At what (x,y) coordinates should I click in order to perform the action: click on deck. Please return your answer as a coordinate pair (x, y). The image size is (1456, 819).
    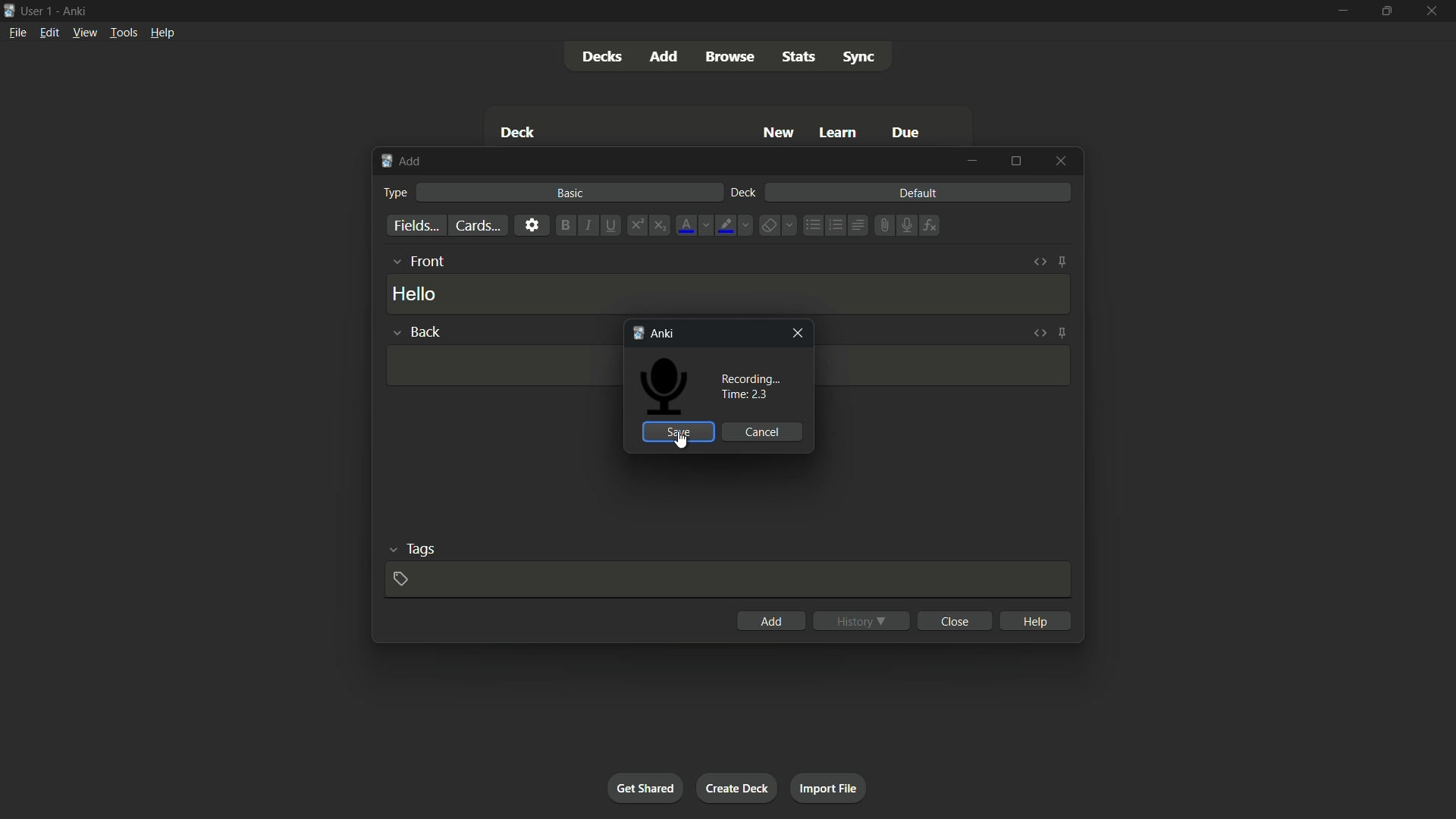
    Looking at the image, I should click on (743, 192).